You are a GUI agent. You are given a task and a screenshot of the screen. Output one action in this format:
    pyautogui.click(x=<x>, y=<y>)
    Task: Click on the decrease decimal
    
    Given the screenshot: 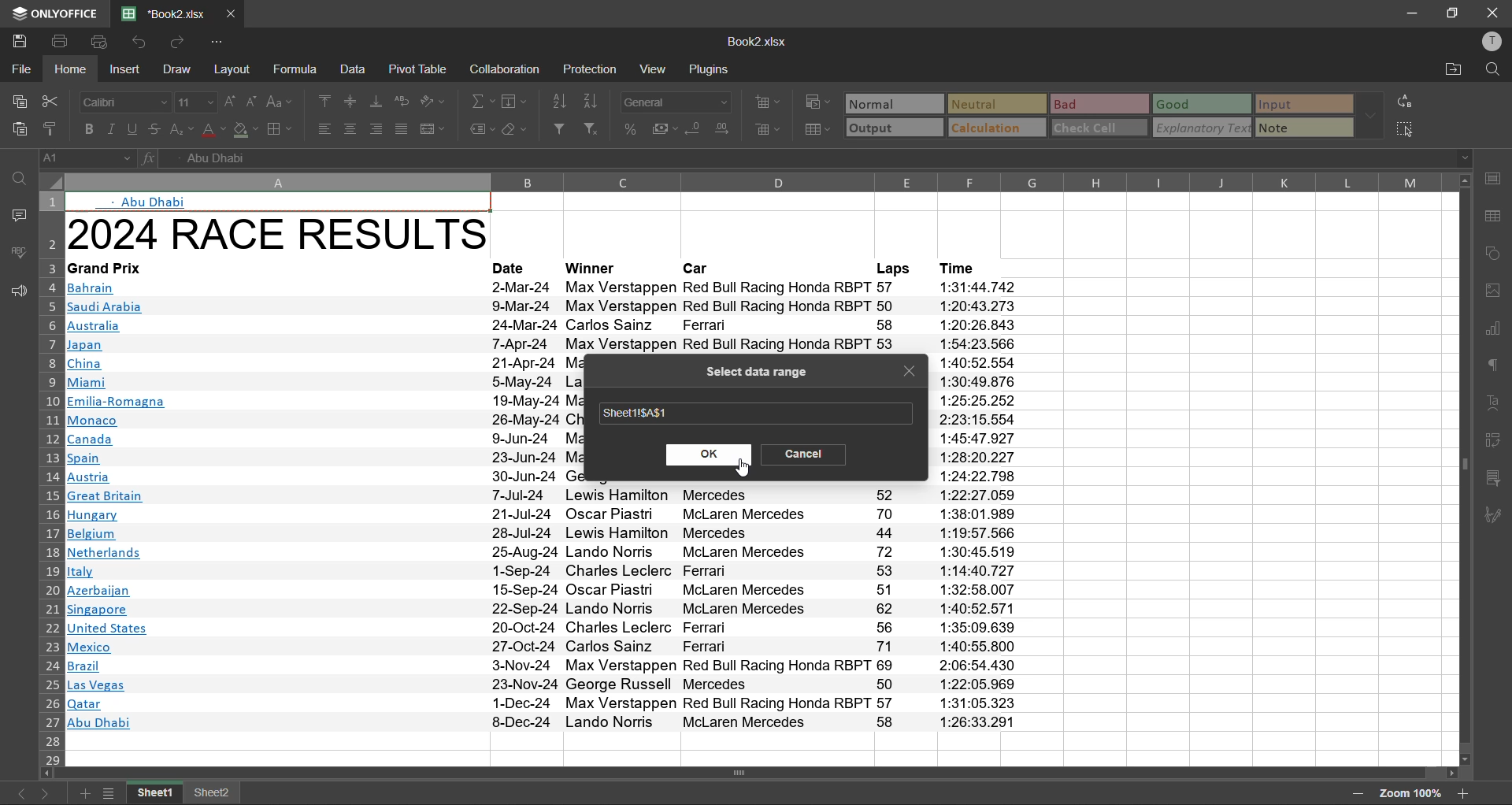 What is the action you would take?
    pyautogui.click(x=694, y=129)
    